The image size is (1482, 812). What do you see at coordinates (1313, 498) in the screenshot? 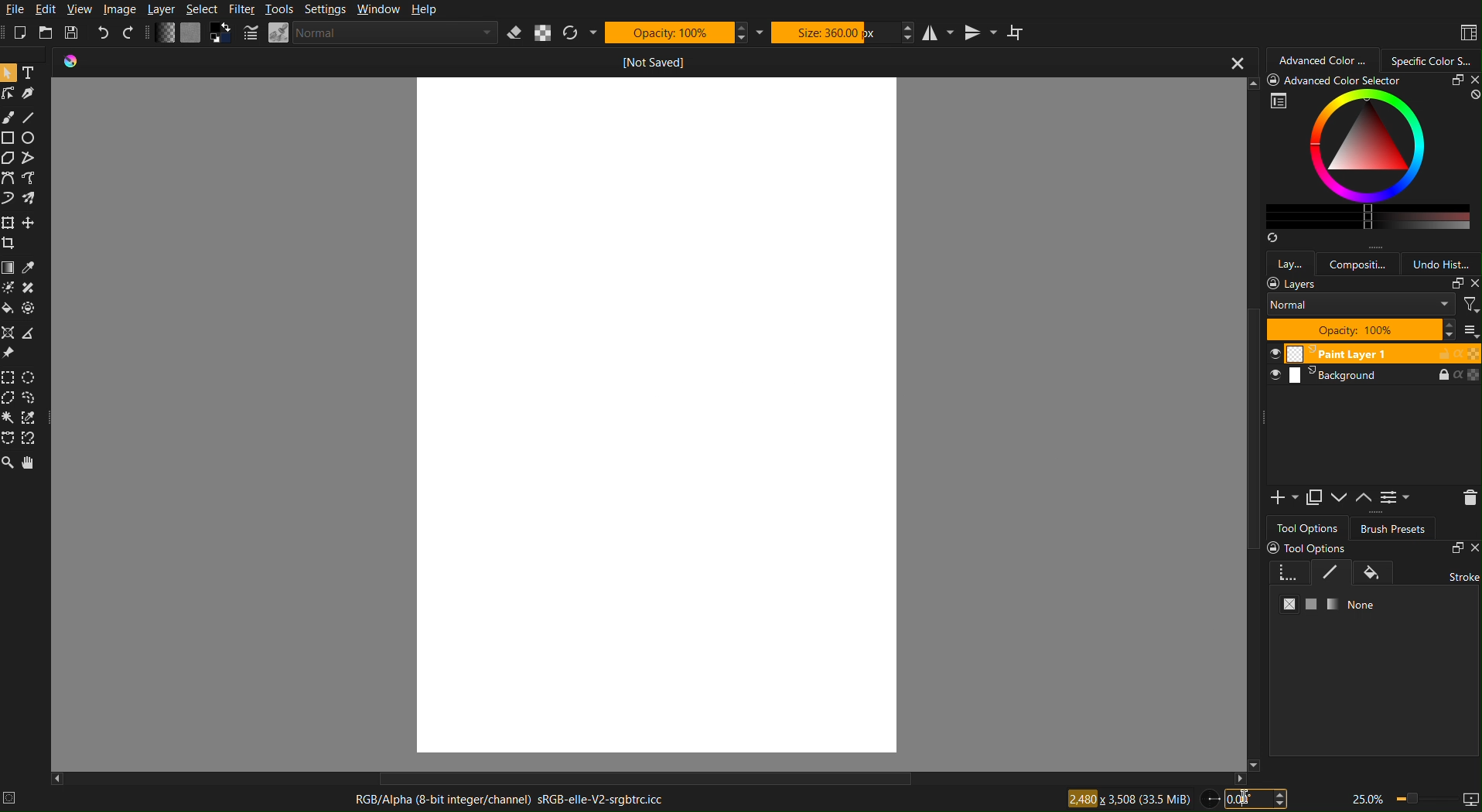
I see `Copy Layer` at bounding box center [1313, 498].